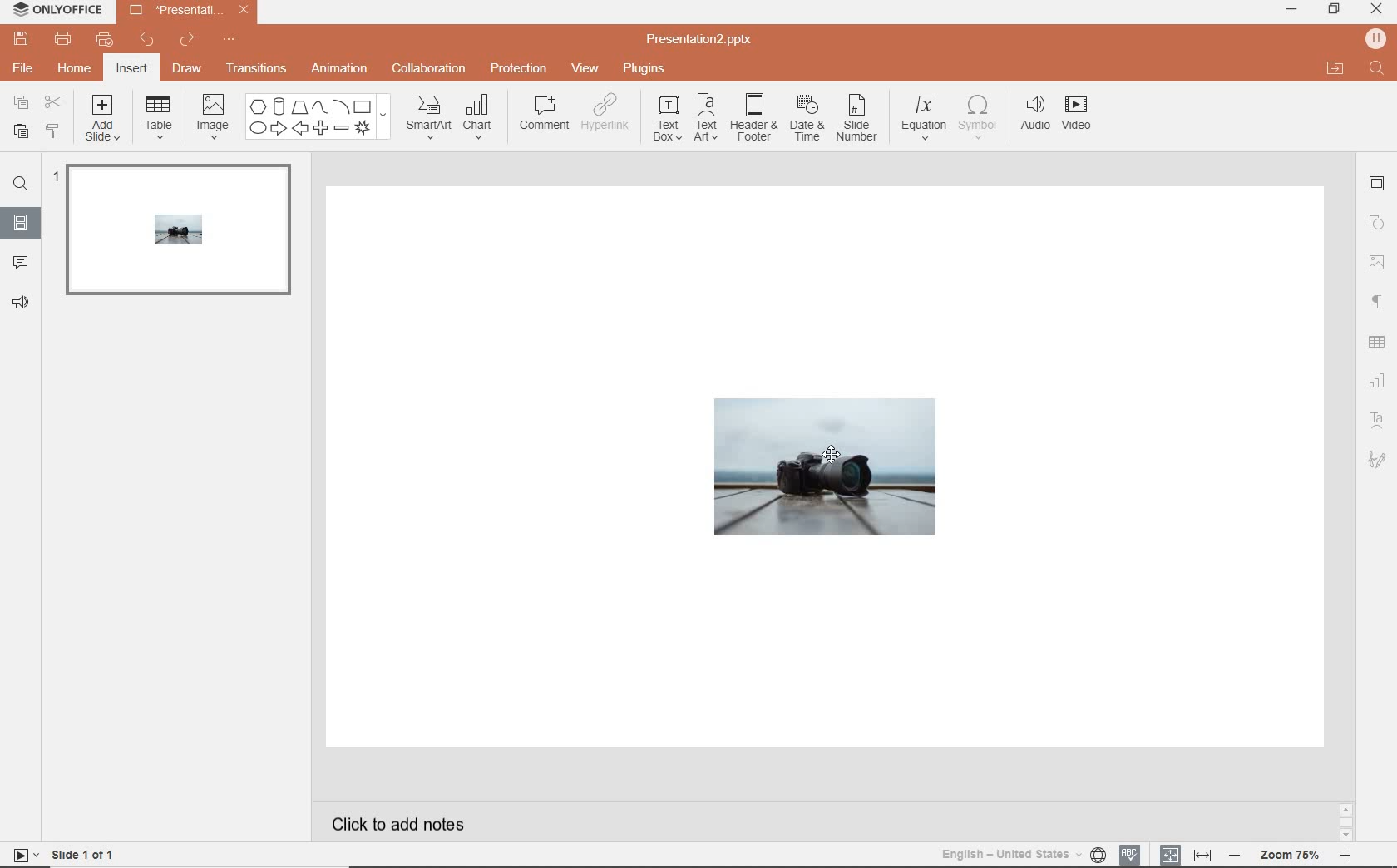 This screenshot has height=868, width=1397. What do you see at coordinates (1025, 855) in the screenshot?
I see `text language` at bounding box center [1025, 855].